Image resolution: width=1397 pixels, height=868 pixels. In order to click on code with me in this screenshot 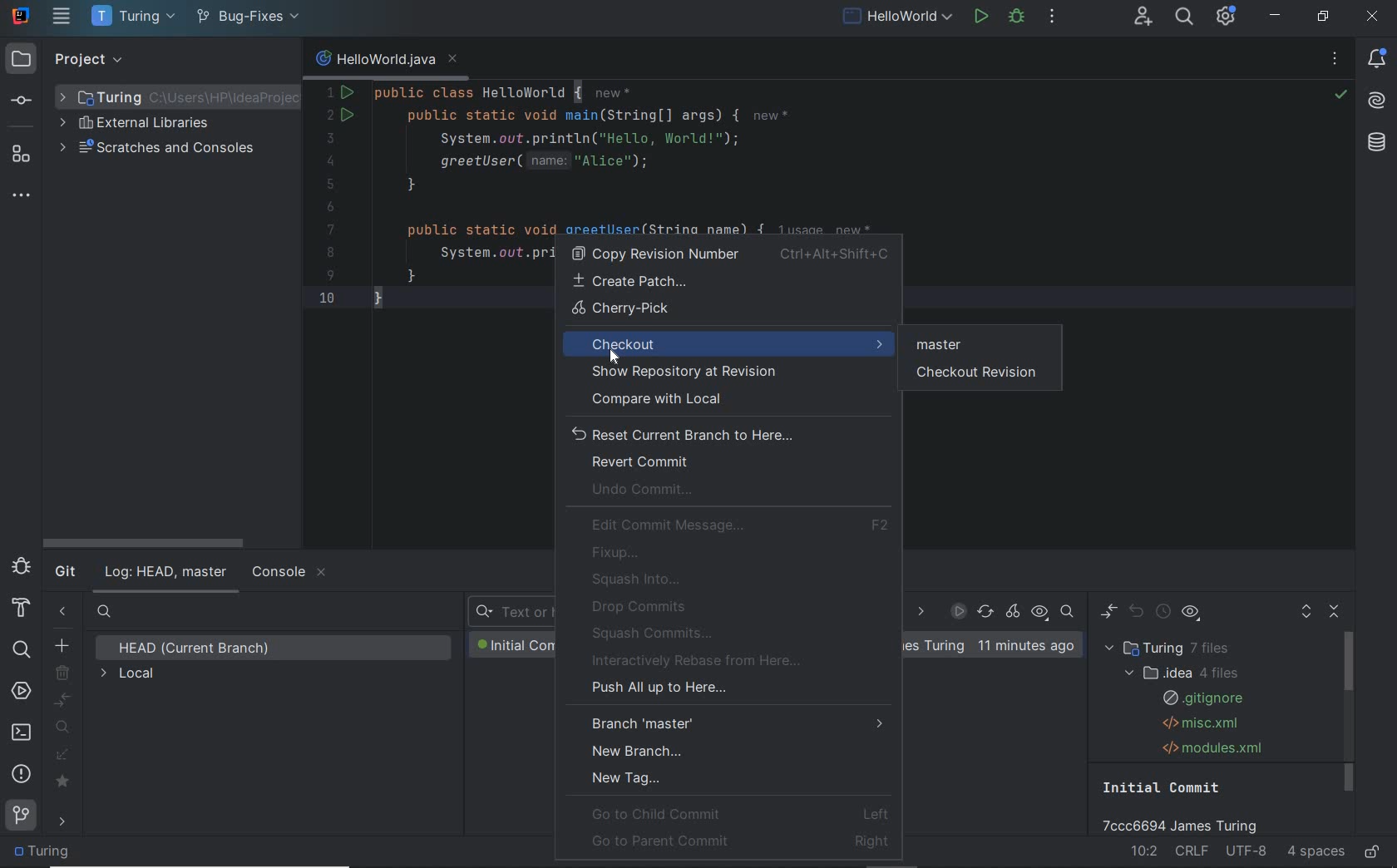, I will do `click(1145, 18)`.